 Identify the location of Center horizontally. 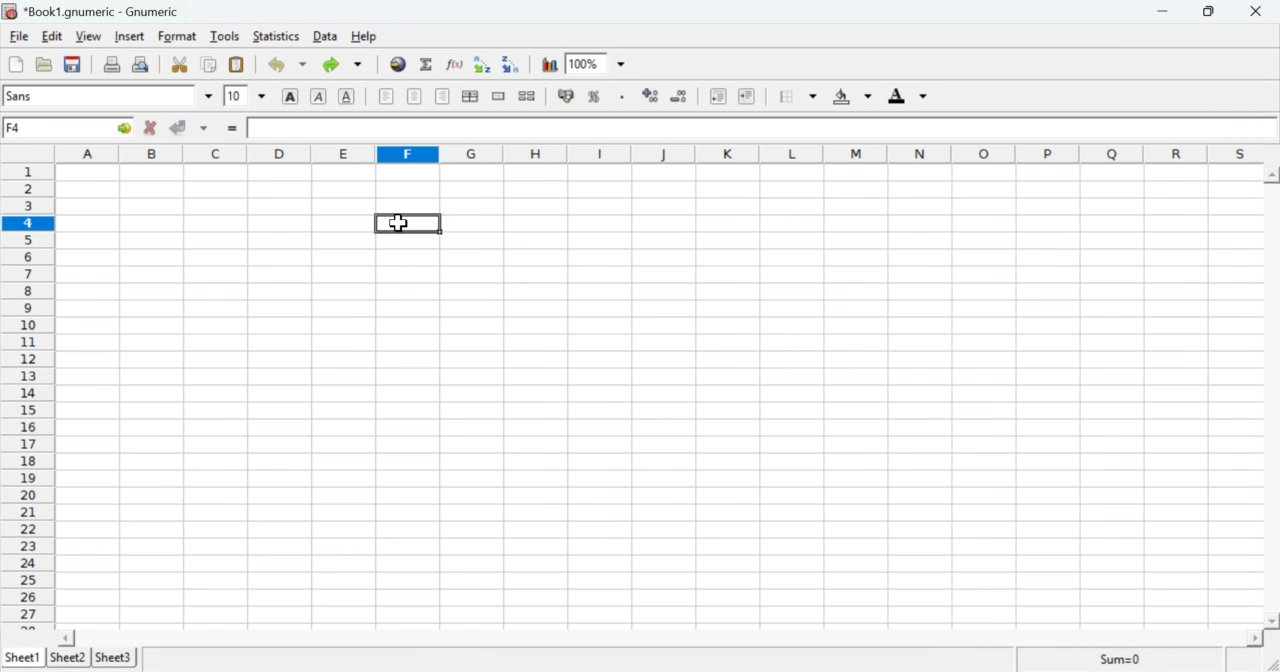
(470, 96).